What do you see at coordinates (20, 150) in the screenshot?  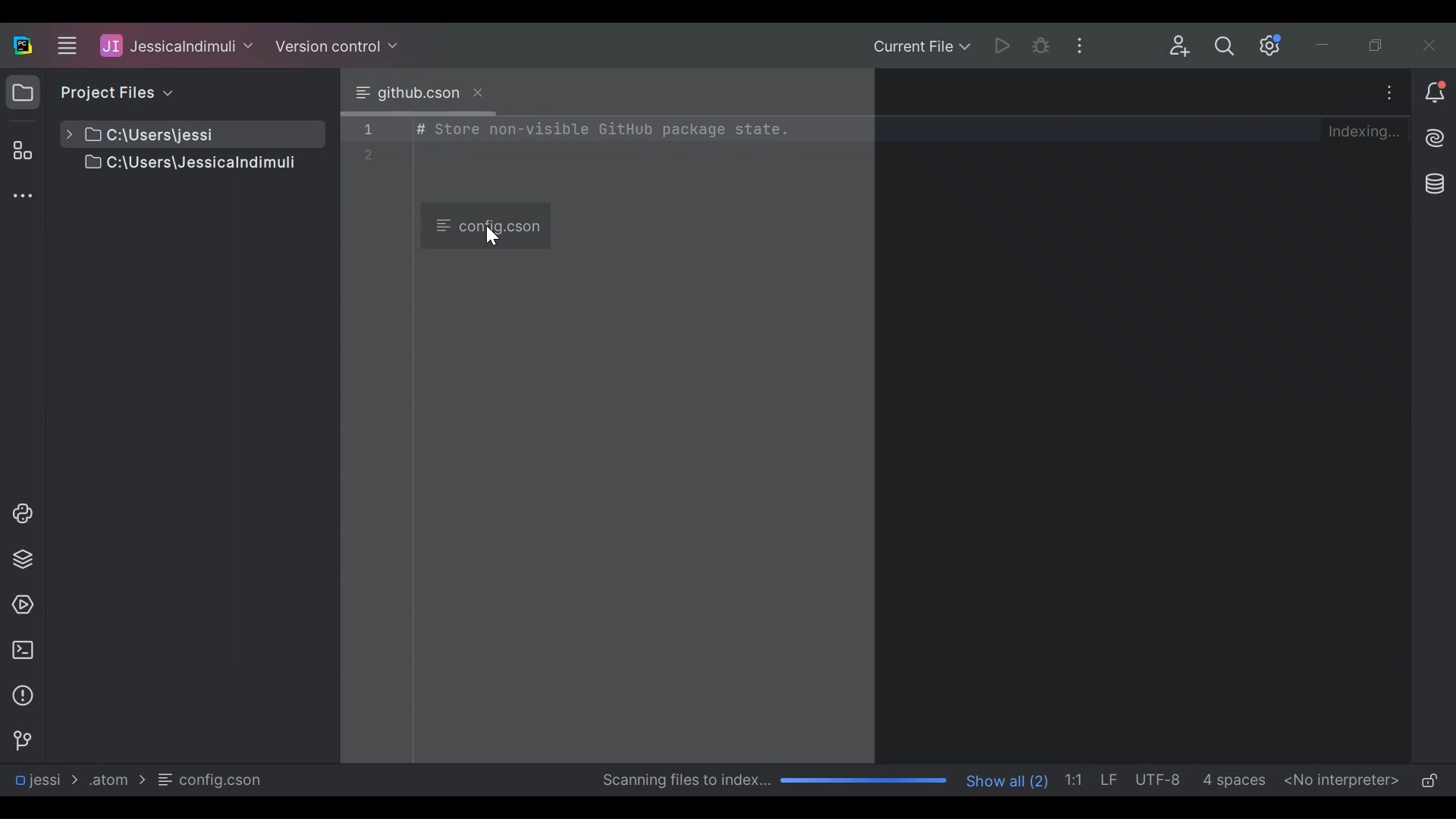 I see `Structure` at bounding box center [20, 150].